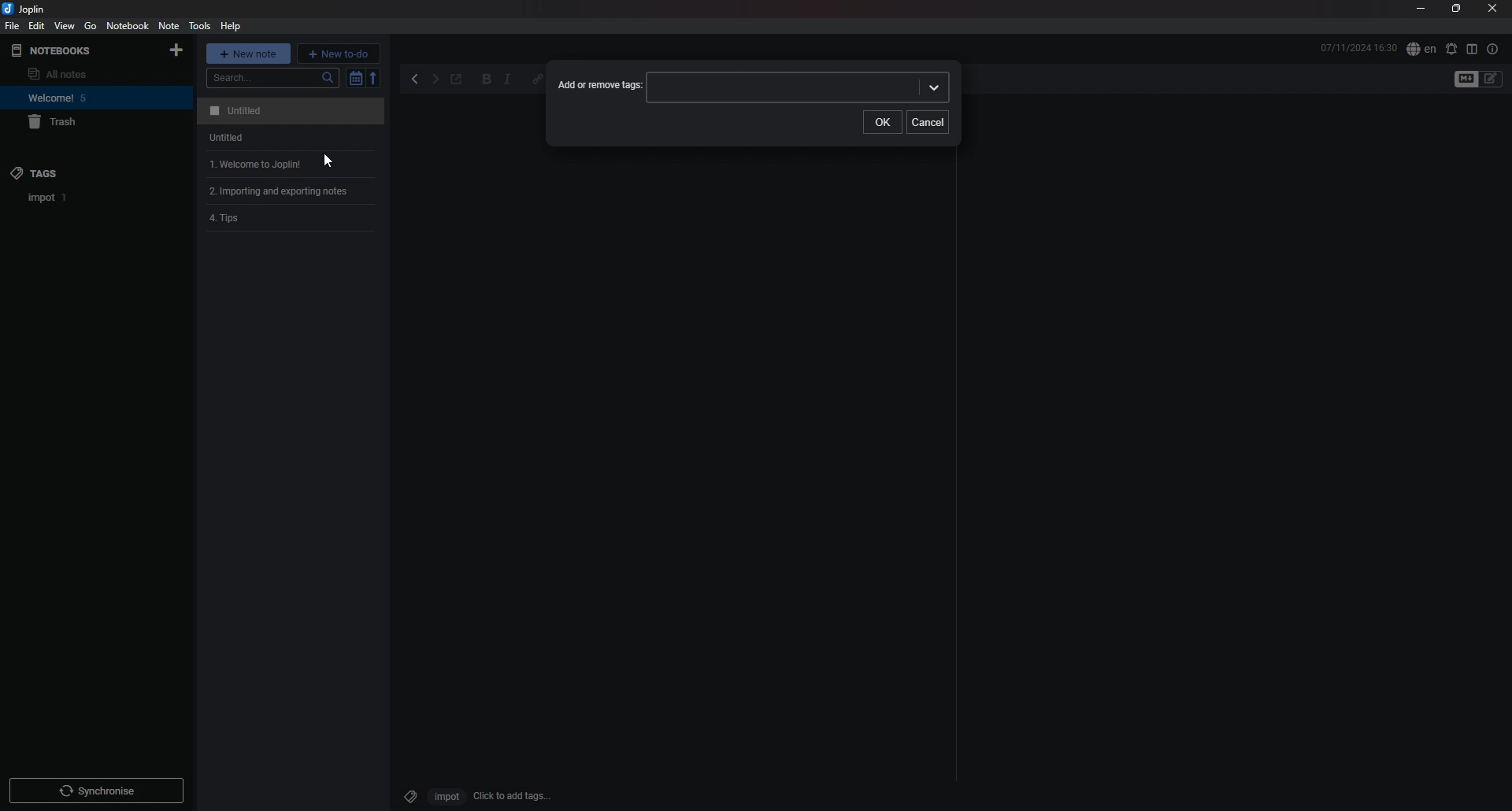 Image resolution: width=1512 pixels, height=811 pixels. What do you see at coordinates (1451, 49) in the screenshot?
I see `spell check` at bounding box center [1451, 49].